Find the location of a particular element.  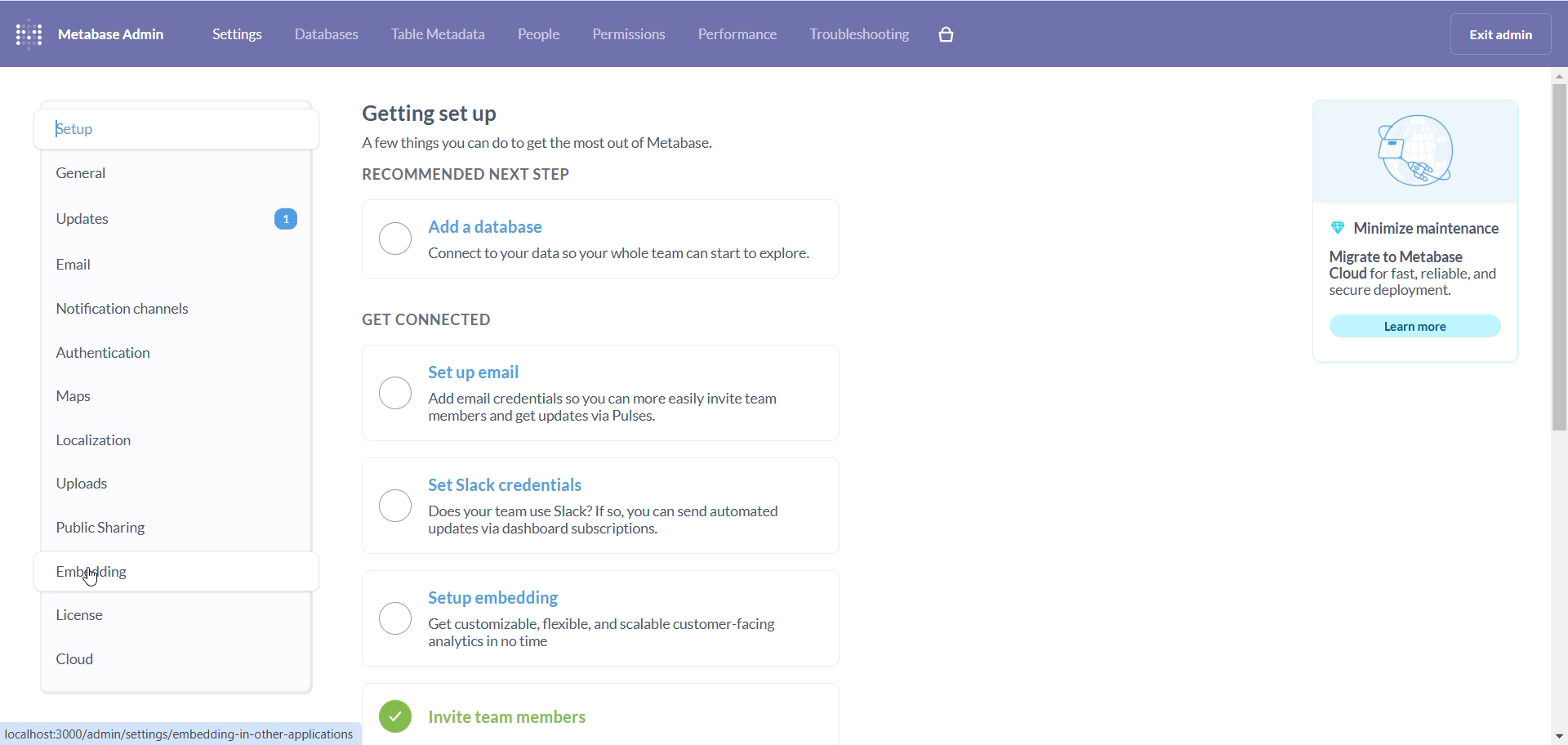

exit admin is located at coordinates (1493, 33).